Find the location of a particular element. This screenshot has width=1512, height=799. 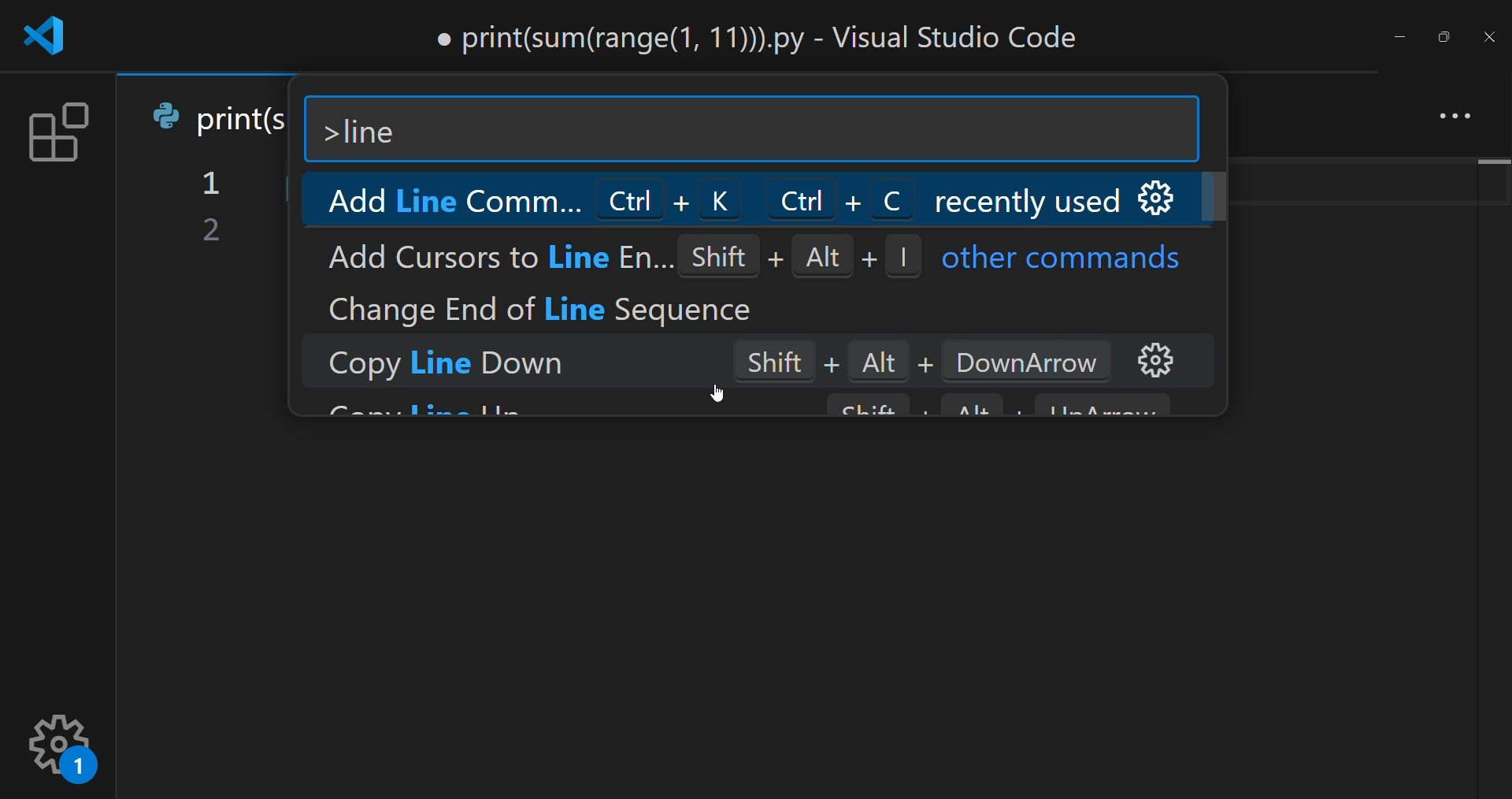

1 is located at coordinates (213, 185).